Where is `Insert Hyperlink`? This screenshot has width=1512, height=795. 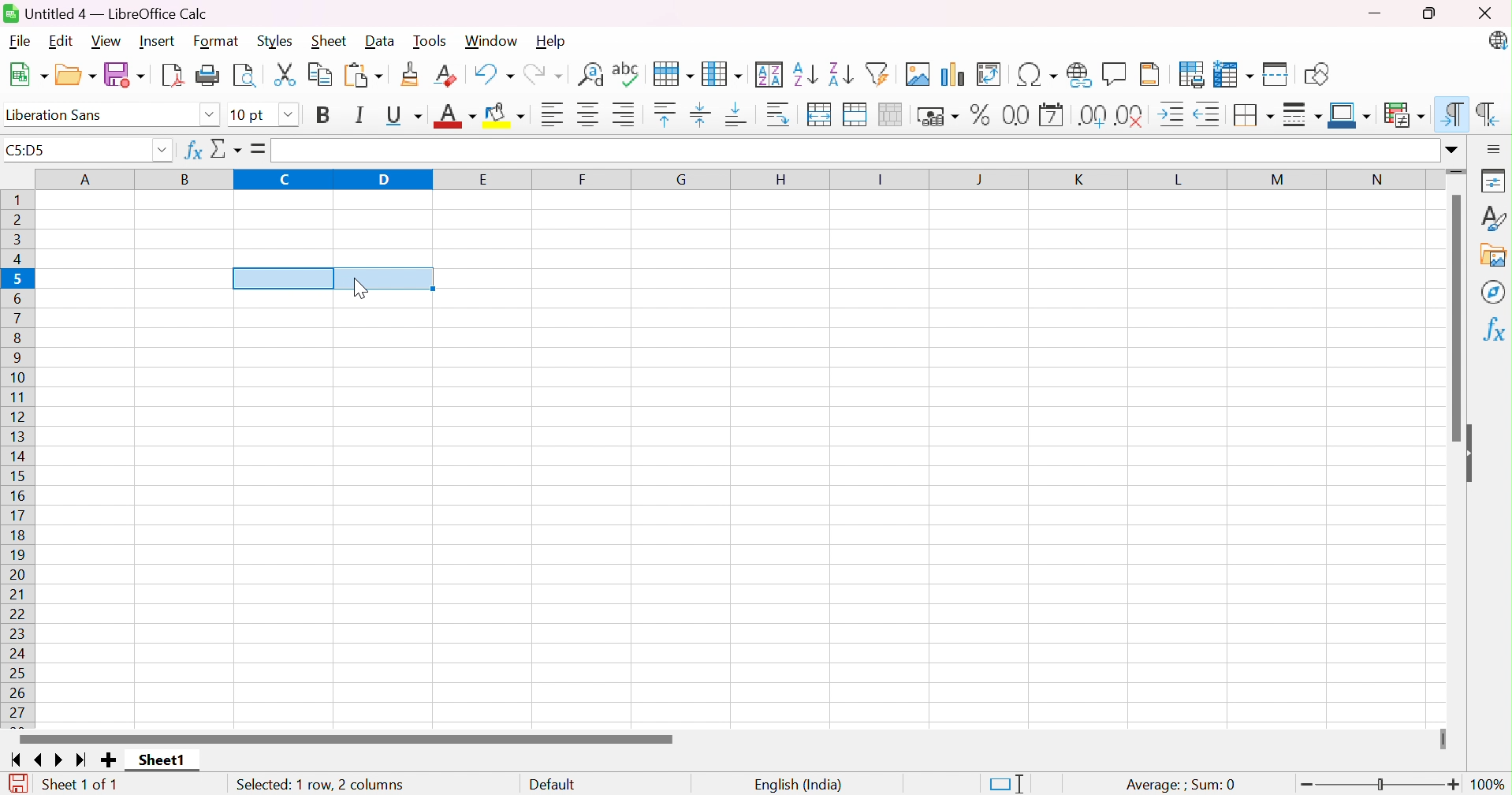
Insert Hyperlink is located at coordinates (1077, 74).